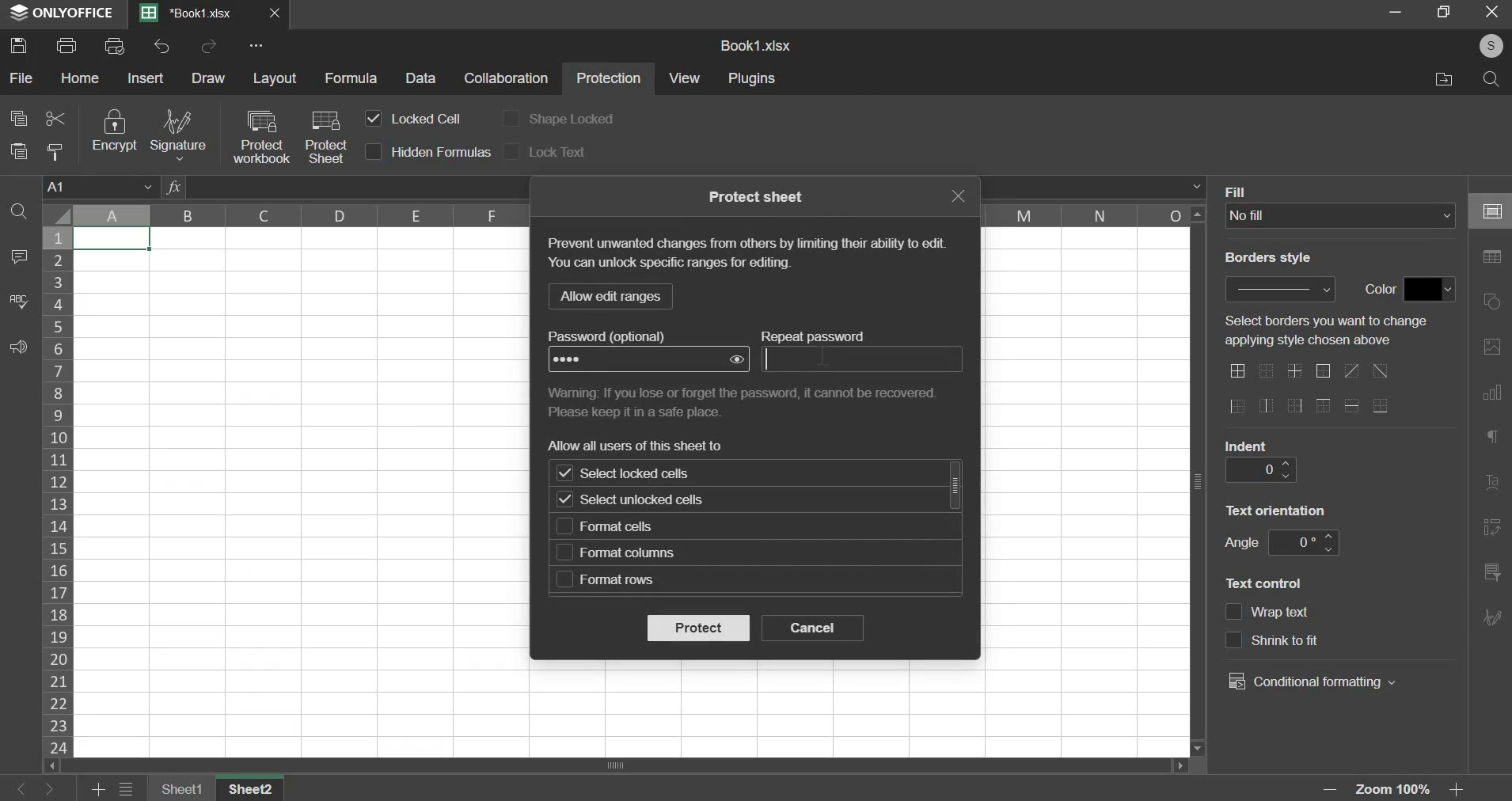 The height and width of the screenshot is (801, 1512). What do you see at coordinates (623, 527) in the screenshot?
I see `format cells` at bounding box center [623, 527].